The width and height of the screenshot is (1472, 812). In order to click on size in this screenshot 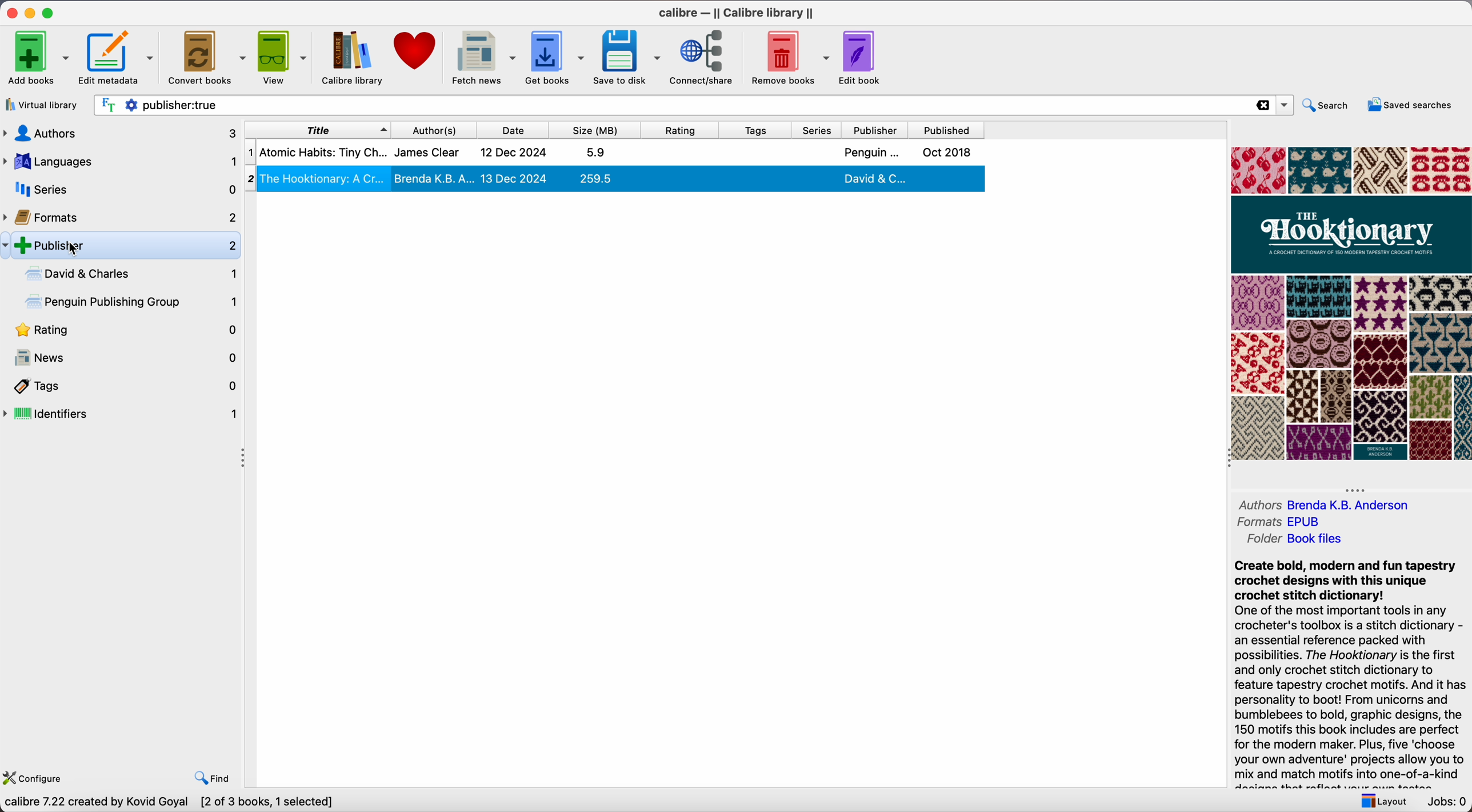, I will do `click(599, 130)`.